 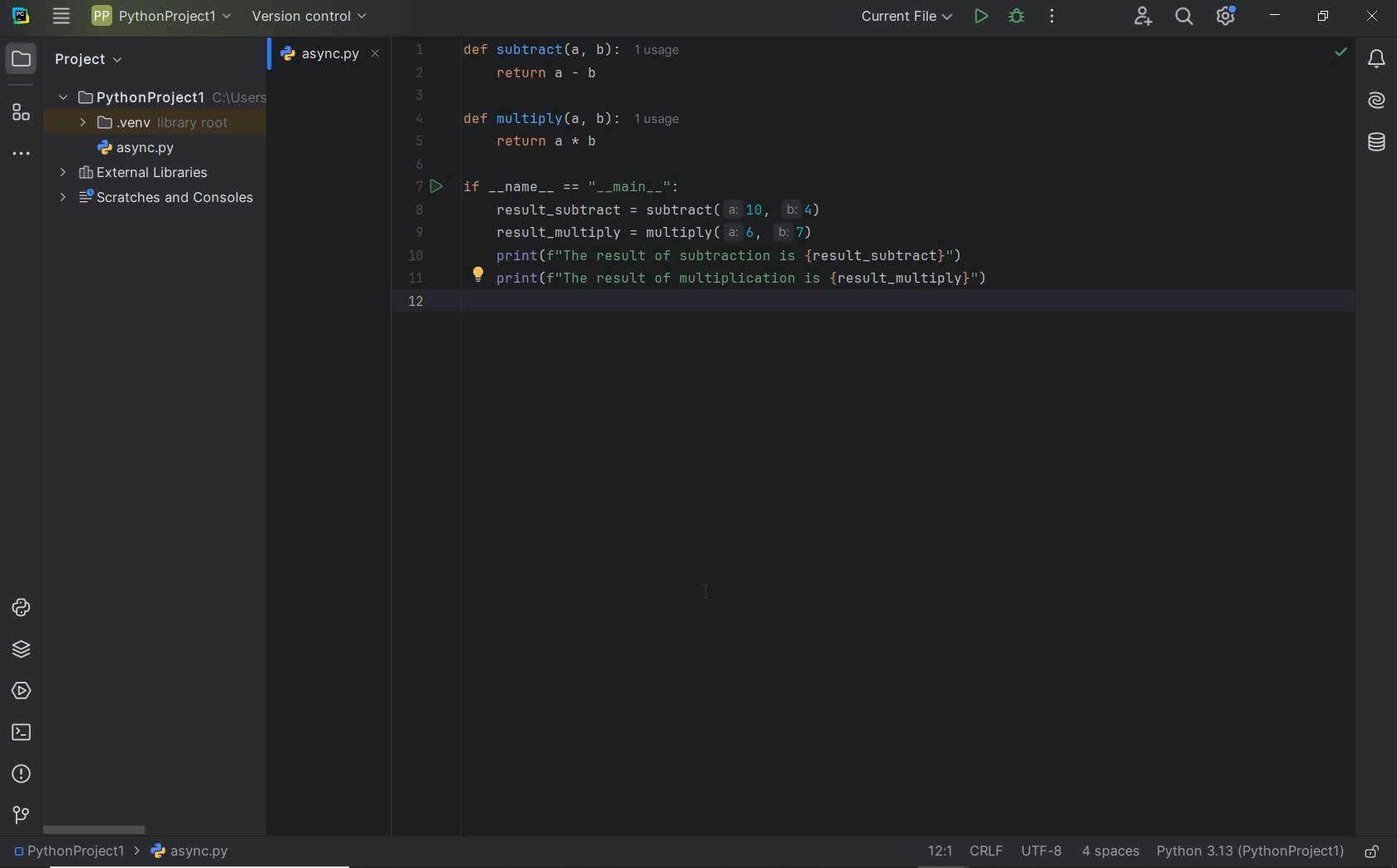 I want to click on system name, so click(x=21, y=17).